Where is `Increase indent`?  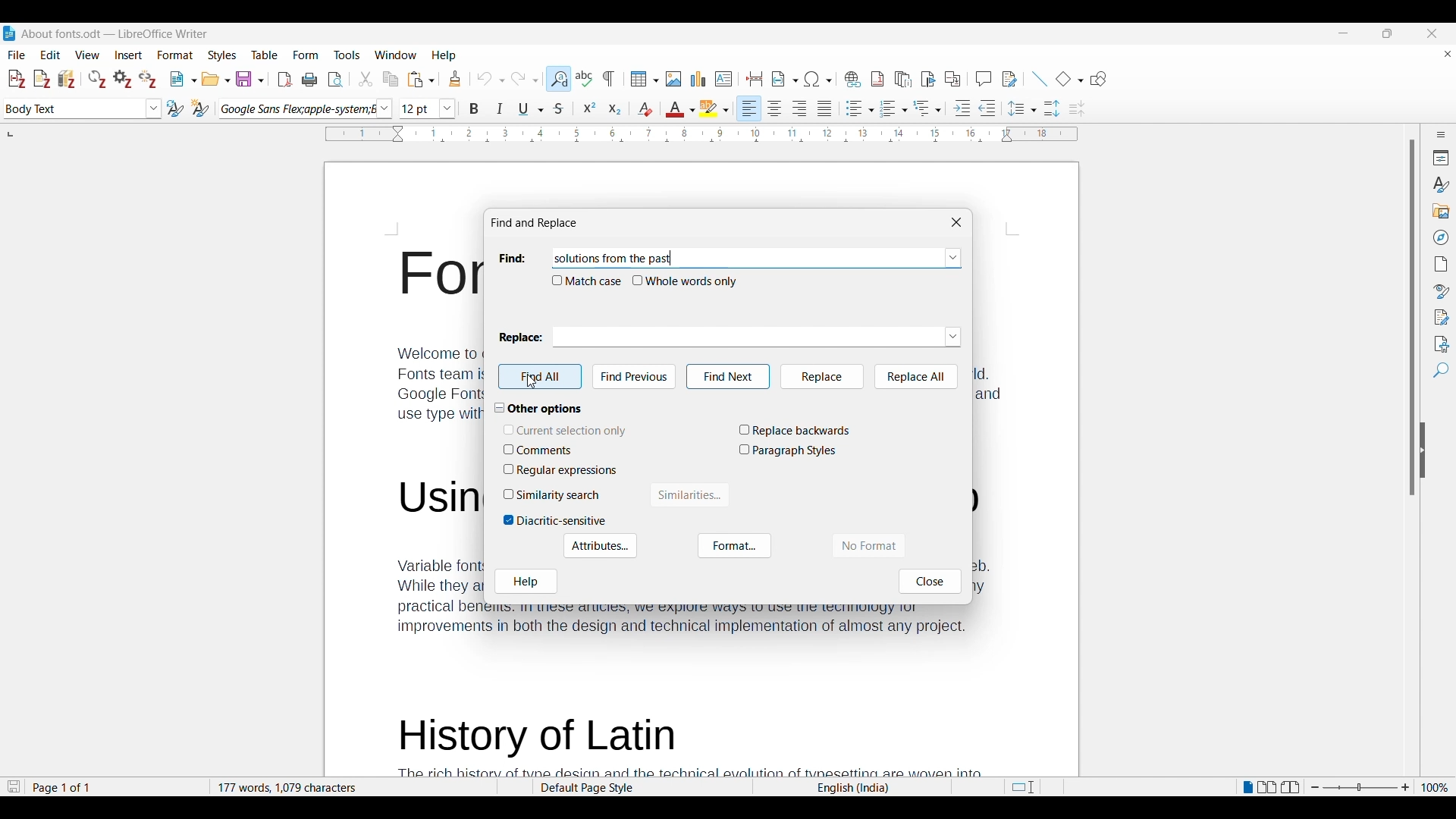 Increase indent is located at coordinates (962, 108).